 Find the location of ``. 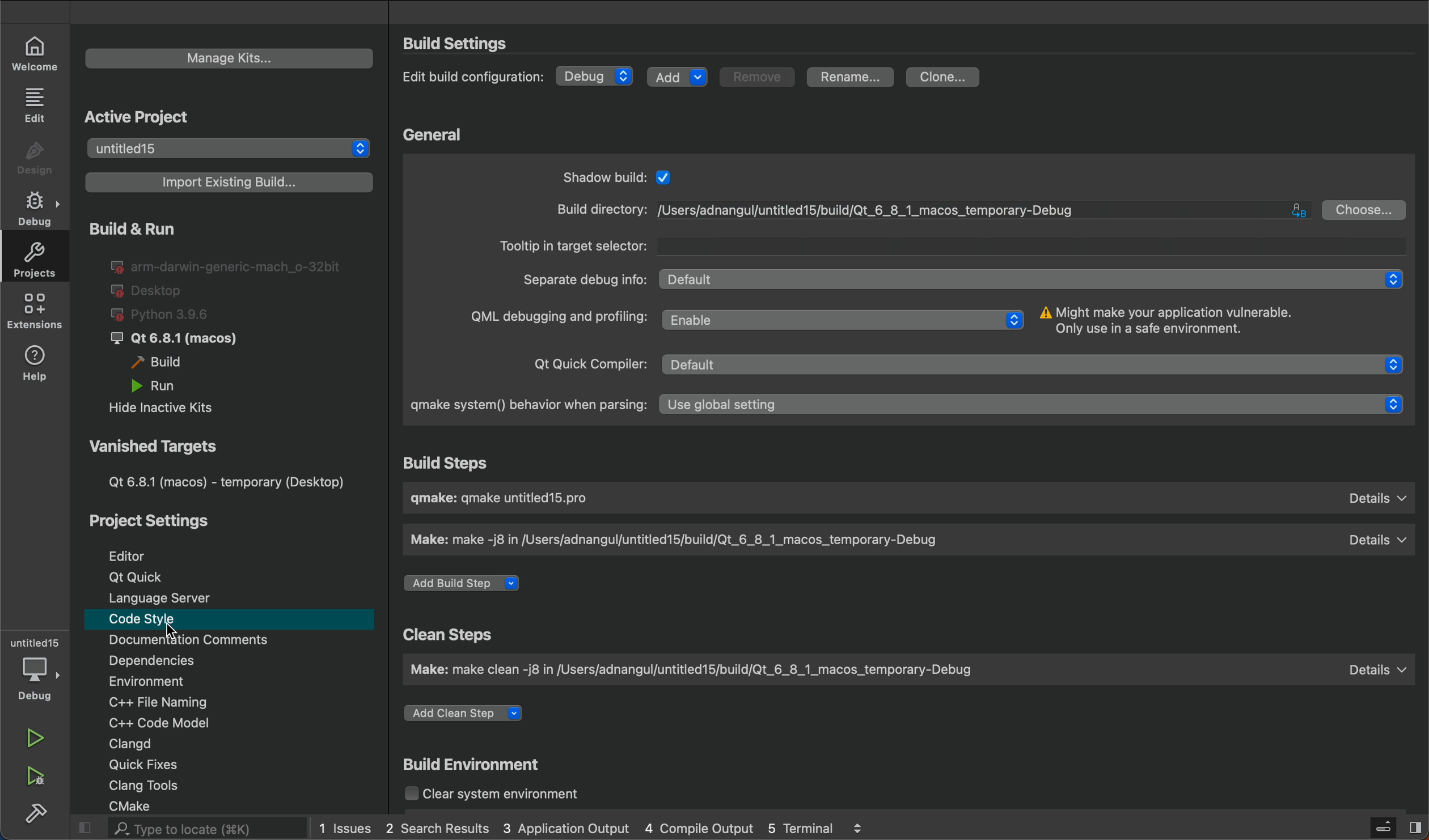

 is located at coordinates (678, 75).